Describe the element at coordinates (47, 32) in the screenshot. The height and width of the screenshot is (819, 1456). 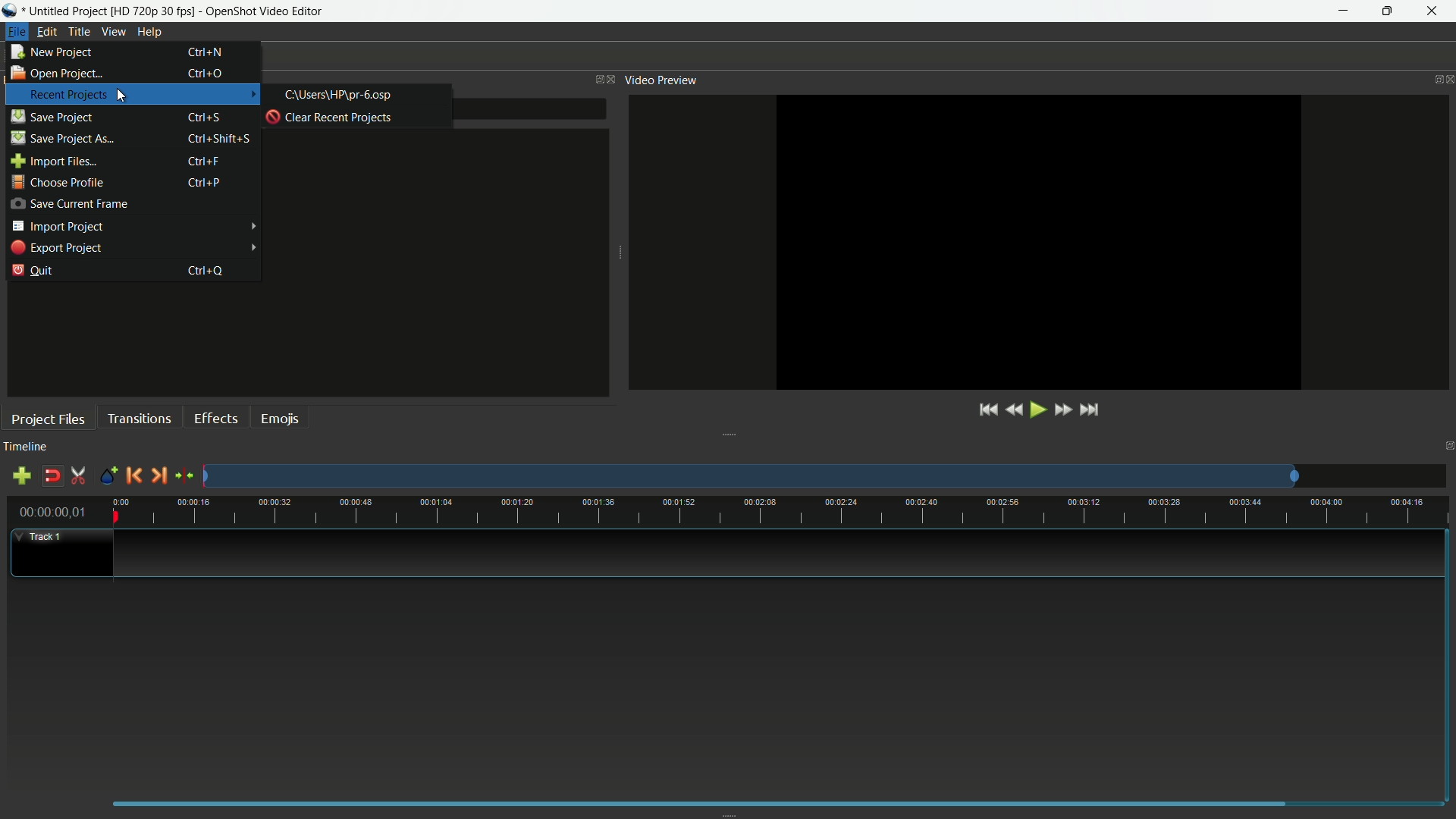
I see `Edit` at that location.